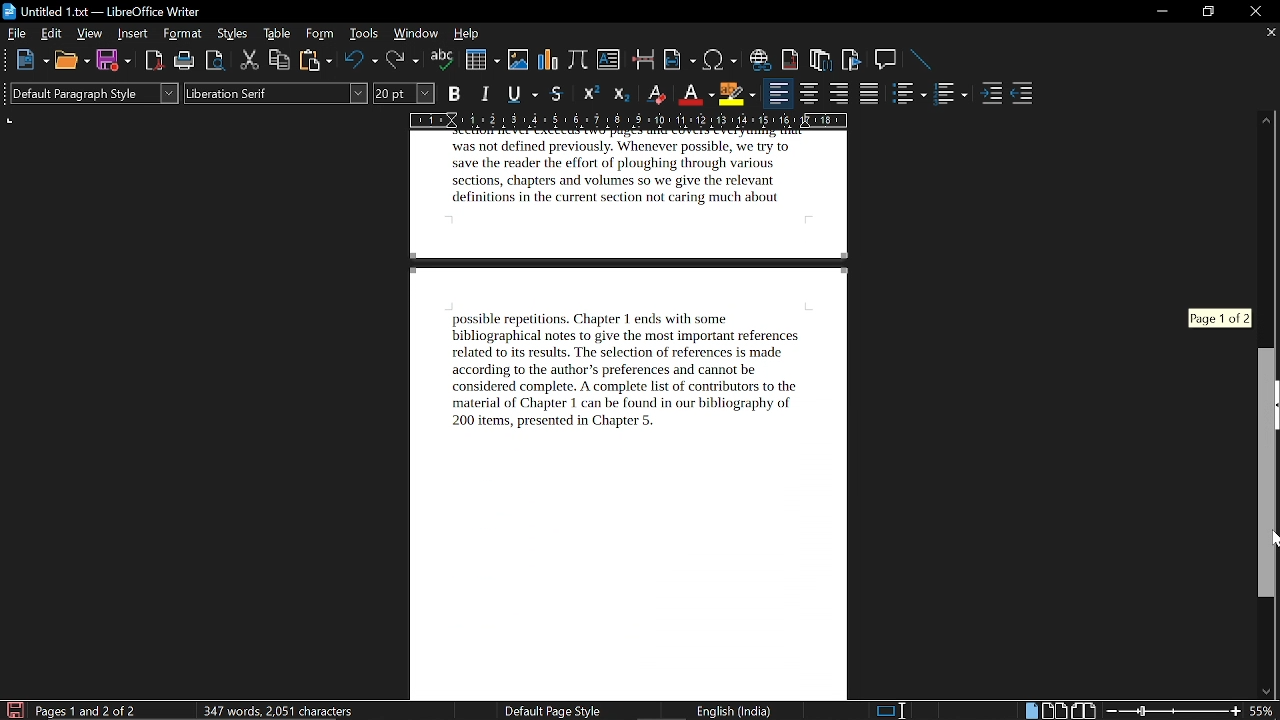 This screenshot has width=1280, height=720. What do you see at coordinates (807, 95) in the screenshot?
I see `align center` at bounding box center [807, 95].